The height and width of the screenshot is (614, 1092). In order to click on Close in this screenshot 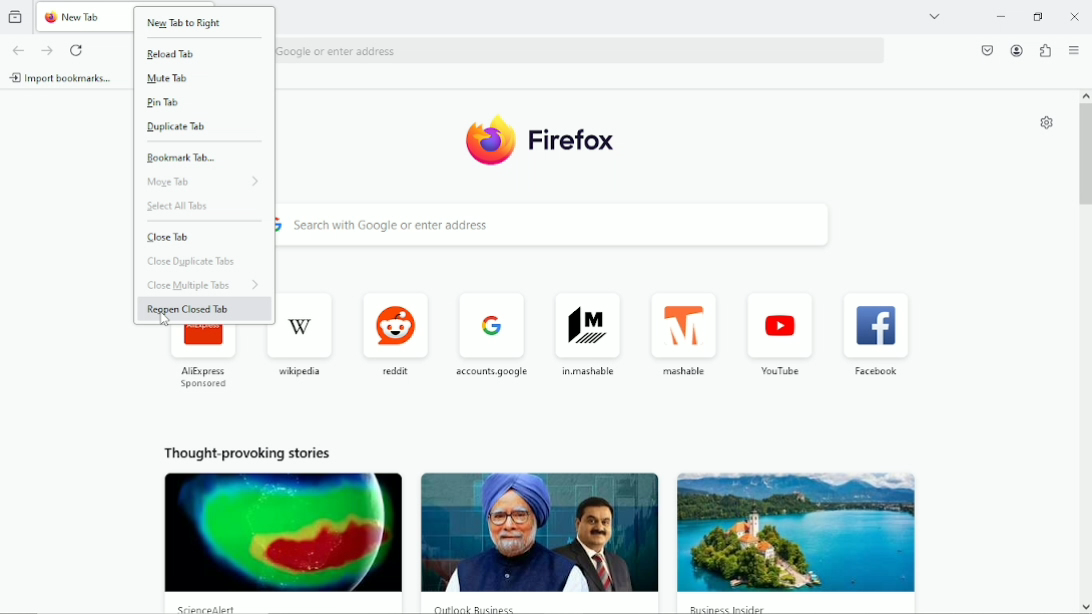, I will do `click(1074, 14)`.